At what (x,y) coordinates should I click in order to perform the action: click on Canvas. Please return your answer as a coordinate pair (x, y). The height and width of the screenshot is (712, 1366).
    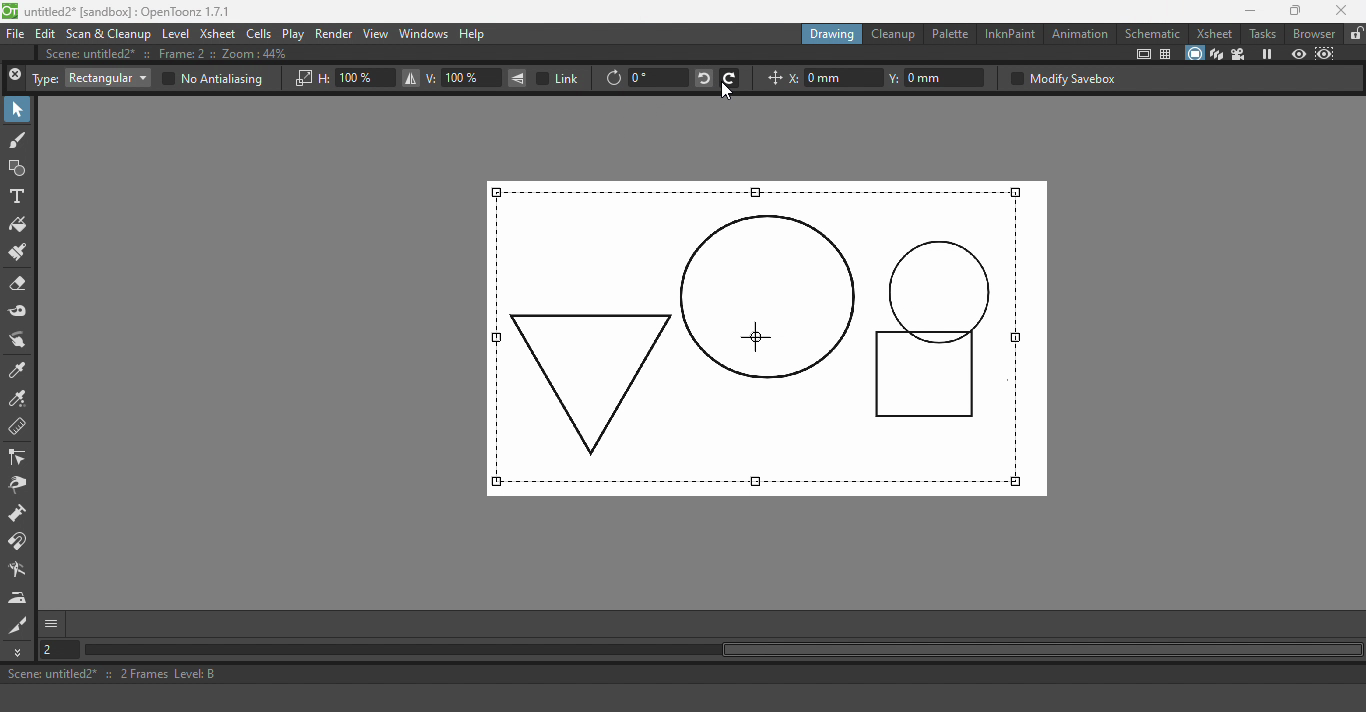
    Looking at the image, I should click on (767, 338).